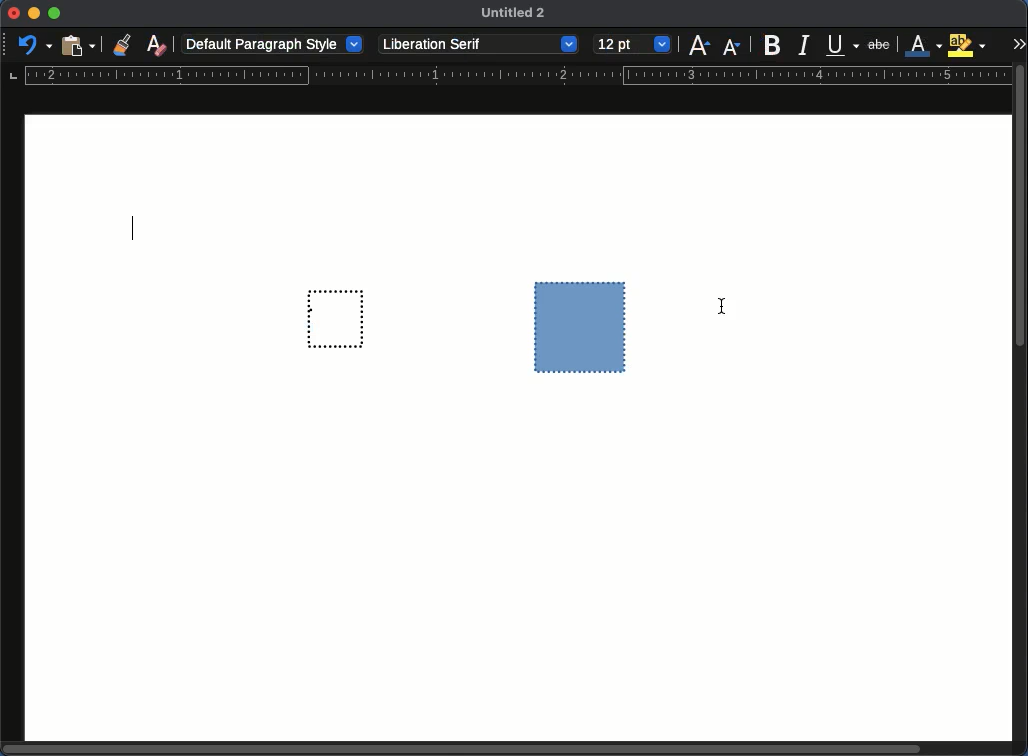 The image size is (1028, 756). I want to click on Liberation serif - font, so click(478, 45).